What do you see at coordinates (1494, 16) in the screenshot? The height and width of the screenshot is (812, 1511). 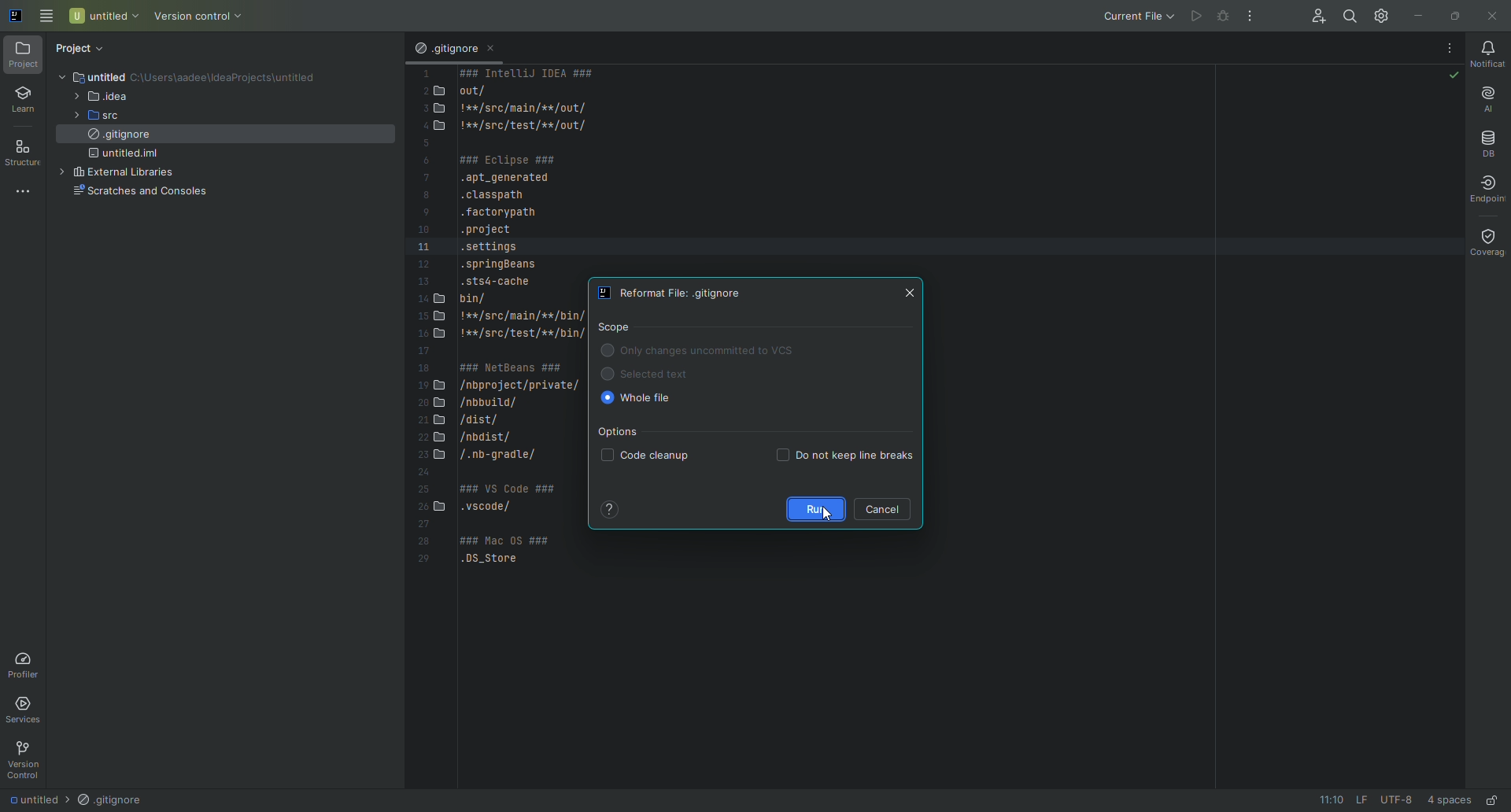 I see `Close` at bounding box center [1494, 16].